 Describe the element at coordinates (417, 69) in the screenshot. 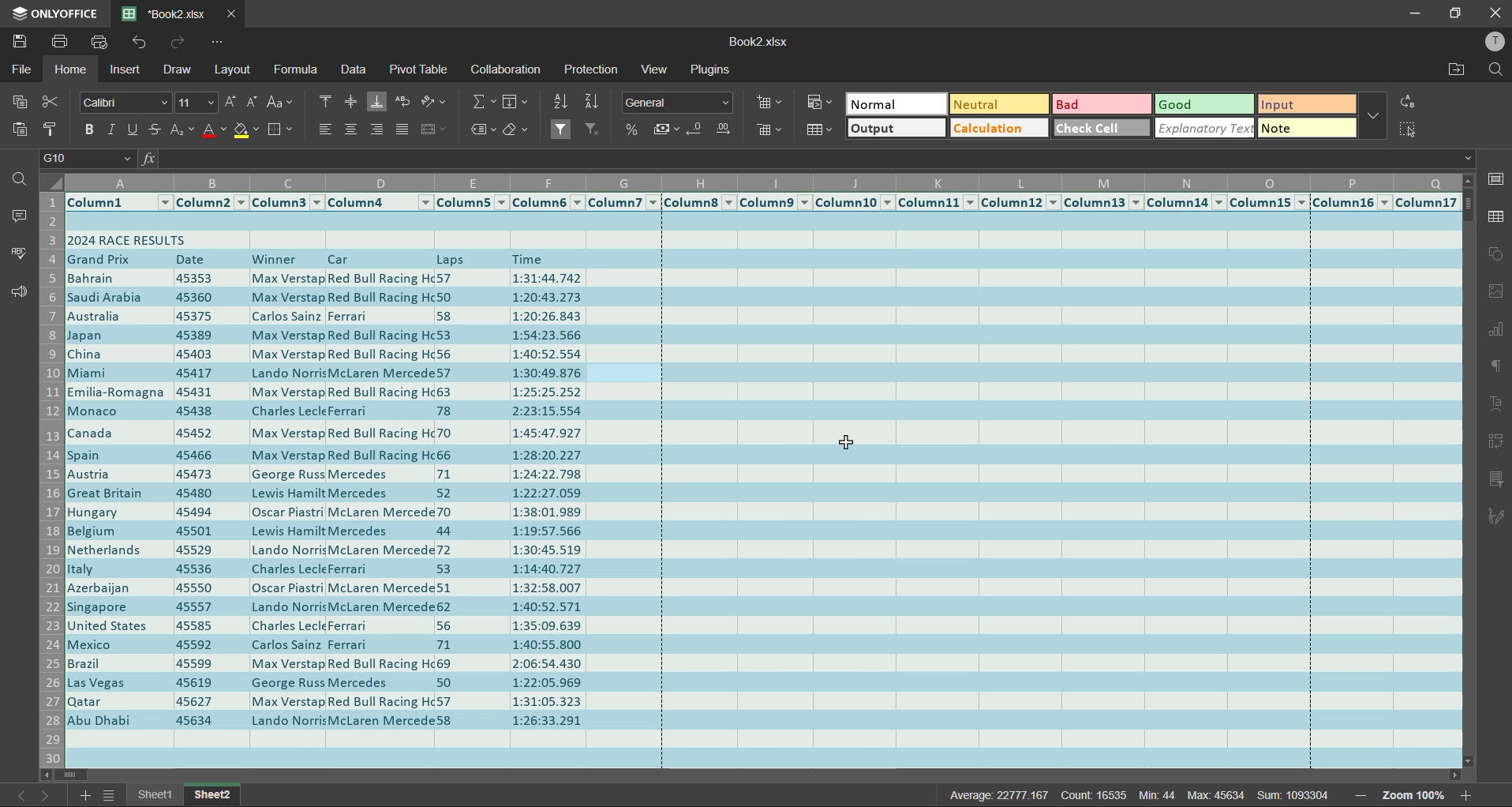

I see `pivot table` at that location.